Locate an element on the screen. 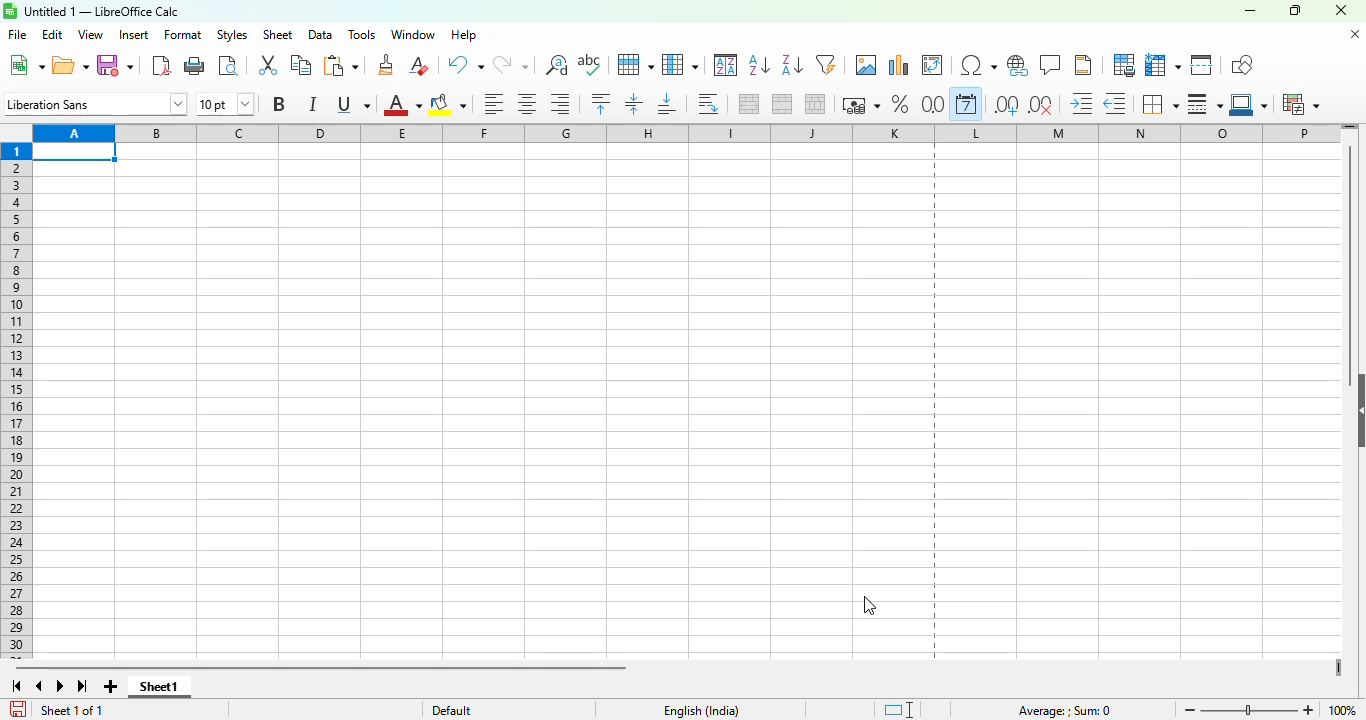 The width and height of the screenshot is (1366, 720). add decimal is located at coordinates (1007, 105).